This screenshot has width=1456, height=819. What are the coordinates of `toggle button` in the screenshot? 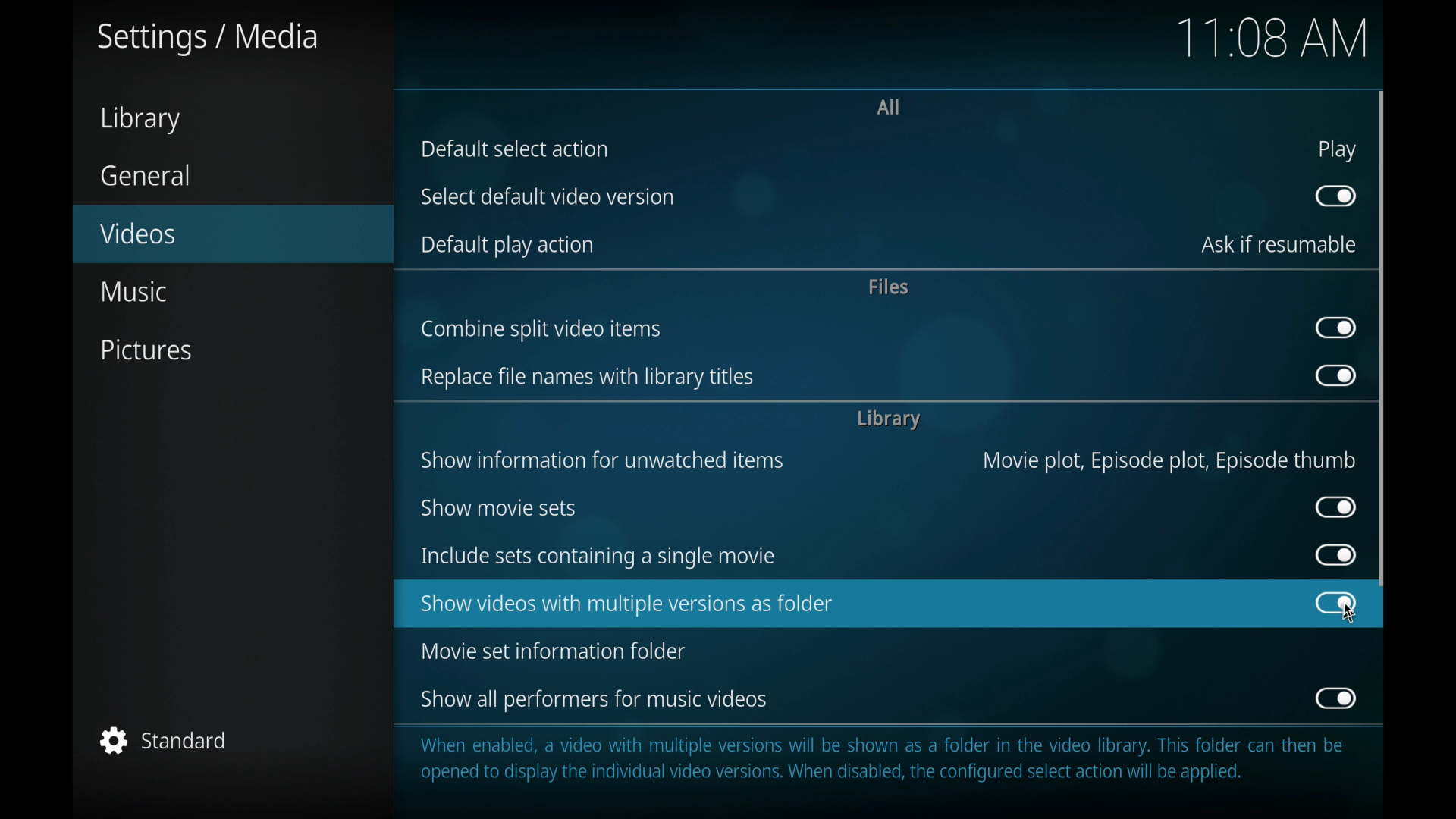 It's located at (1336, 328).